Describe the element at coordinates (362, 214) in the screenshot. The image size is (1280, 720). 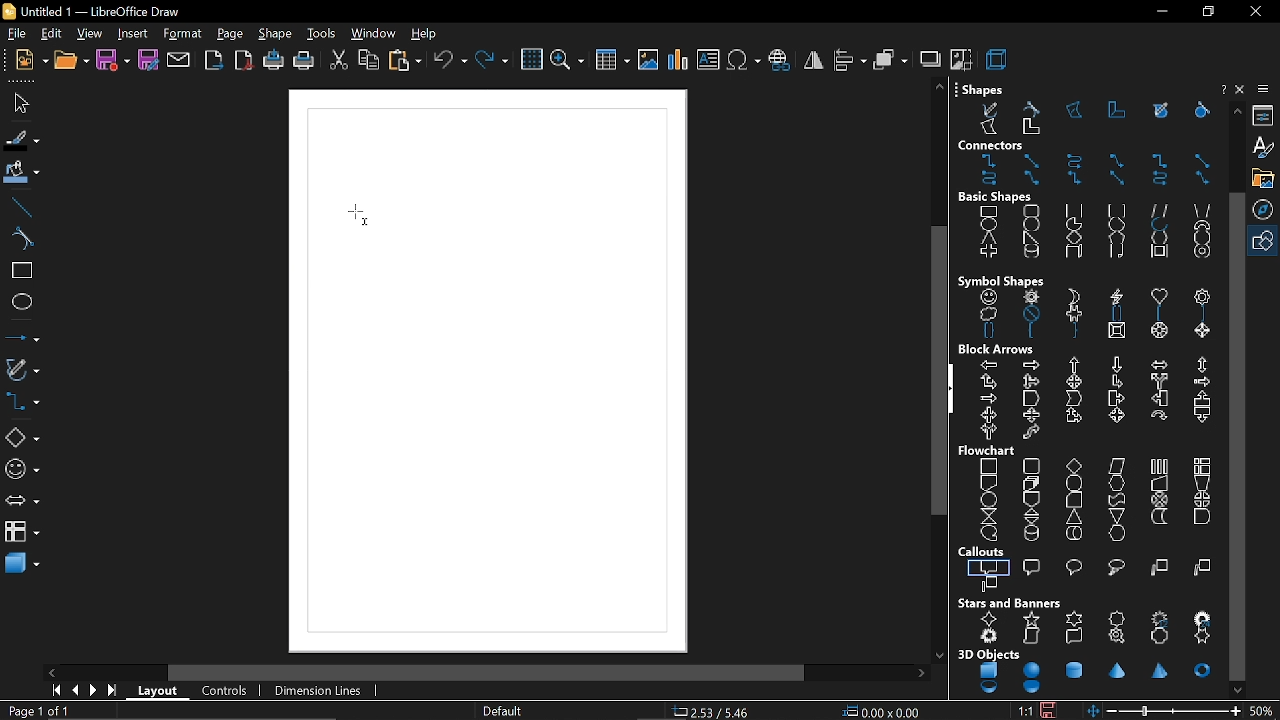
I see `Cursor` at that location.